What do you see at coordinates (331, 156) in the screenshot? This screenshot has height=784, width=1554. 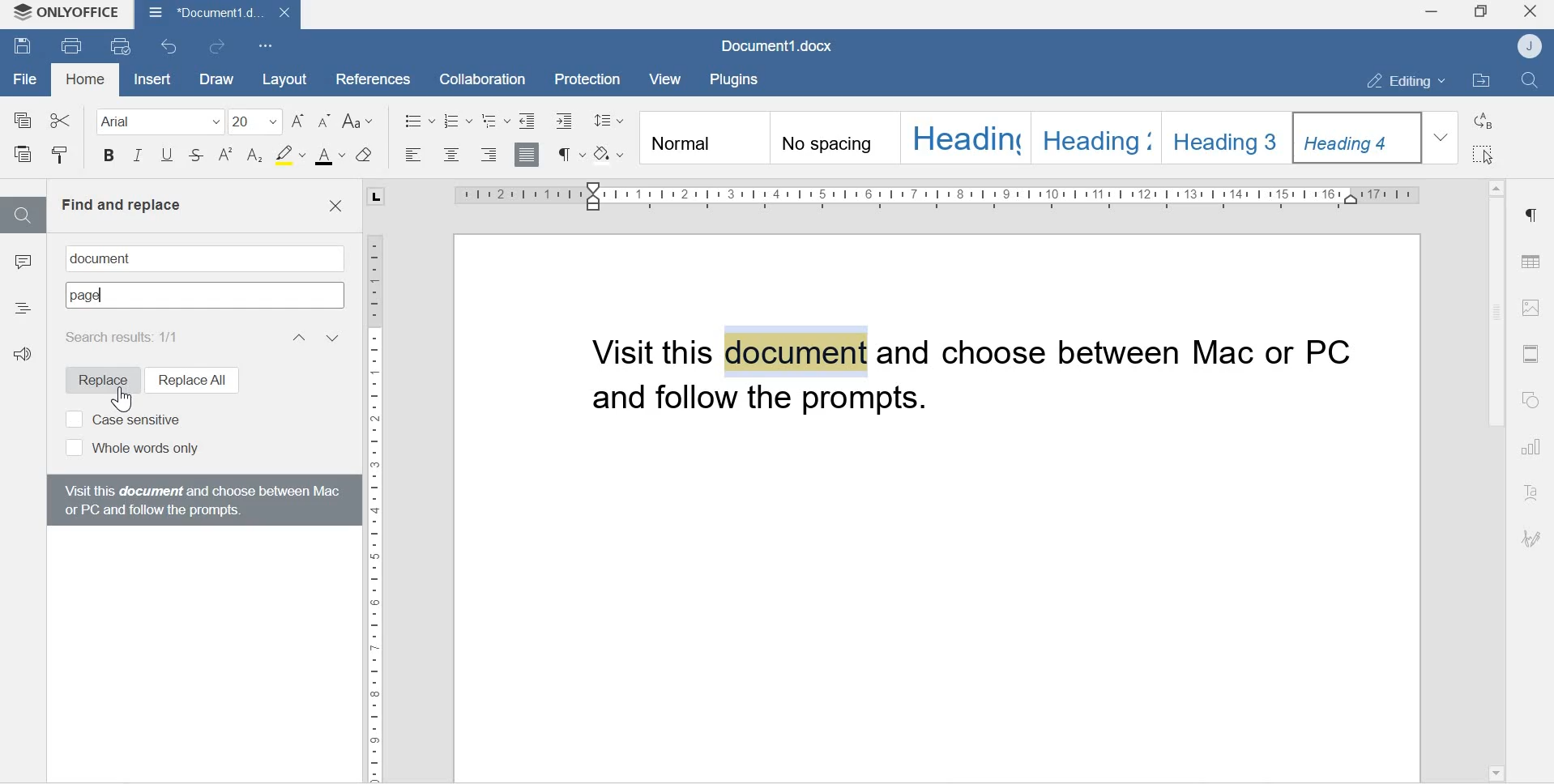 I see `font color` at bounding box center [331, 156].